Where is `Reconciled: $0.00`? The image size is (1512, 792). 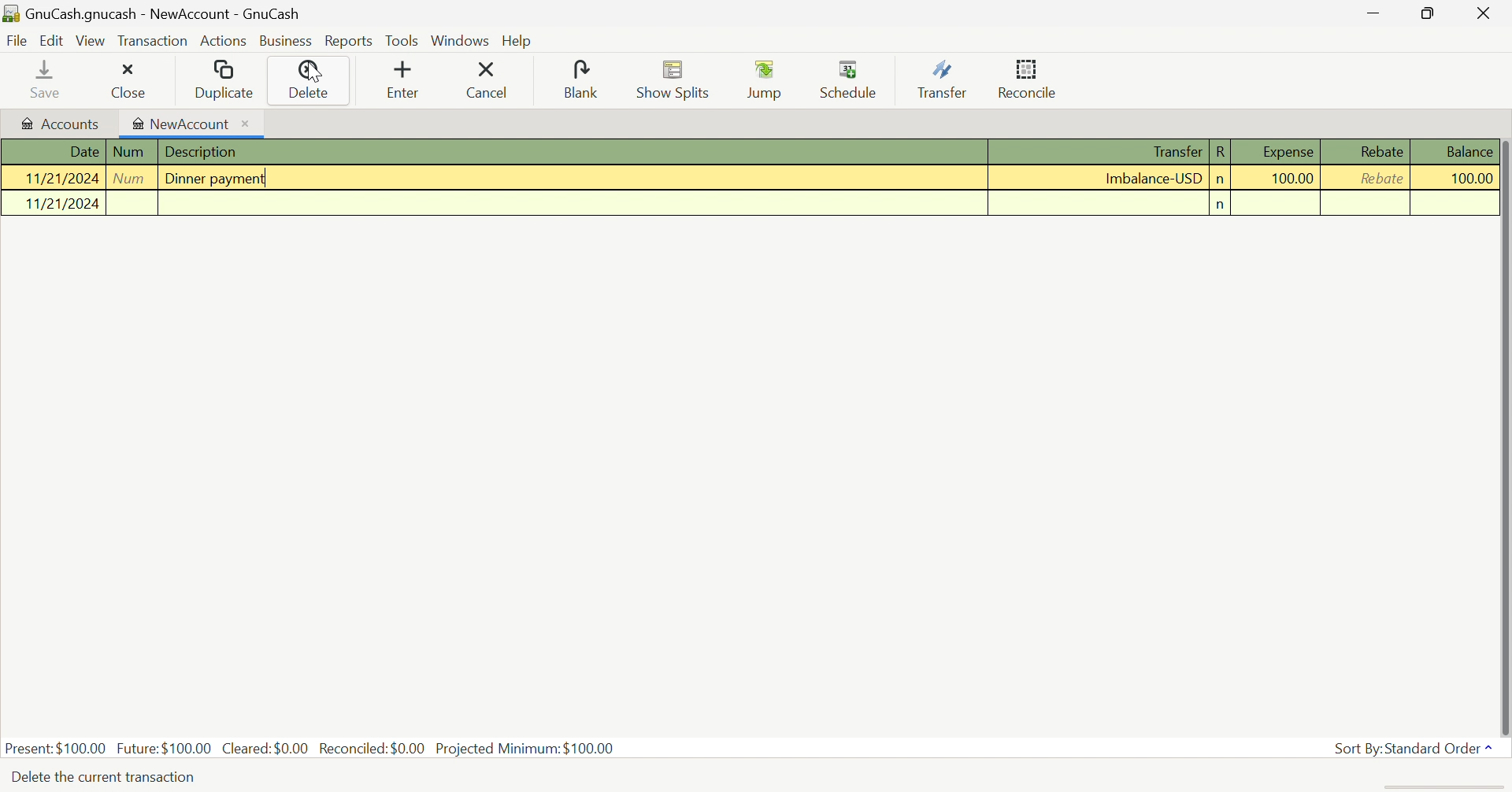
Reconciled: $0.00 is located at coordinates (372, 749).